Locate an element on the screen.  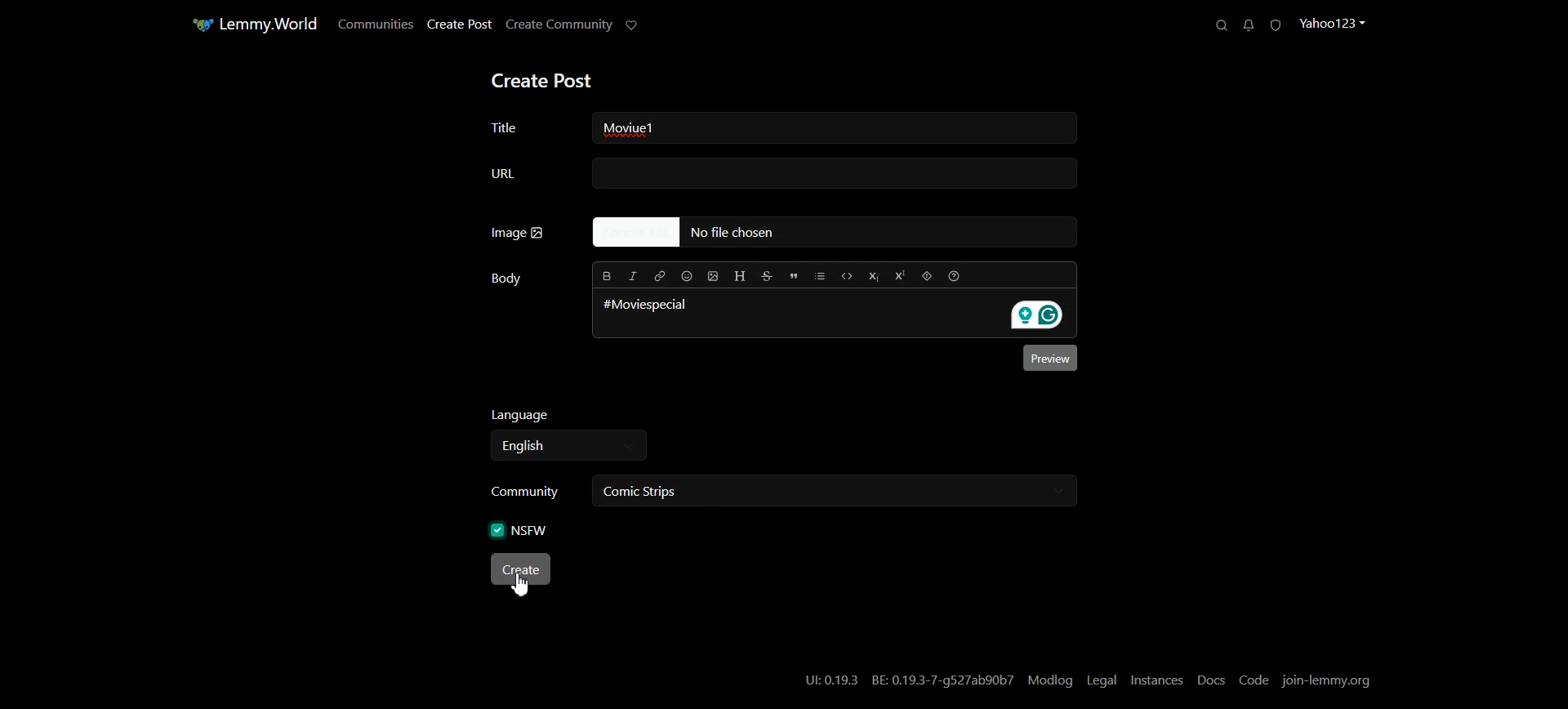
Unread Messages is located at coordinates (1246, 25).